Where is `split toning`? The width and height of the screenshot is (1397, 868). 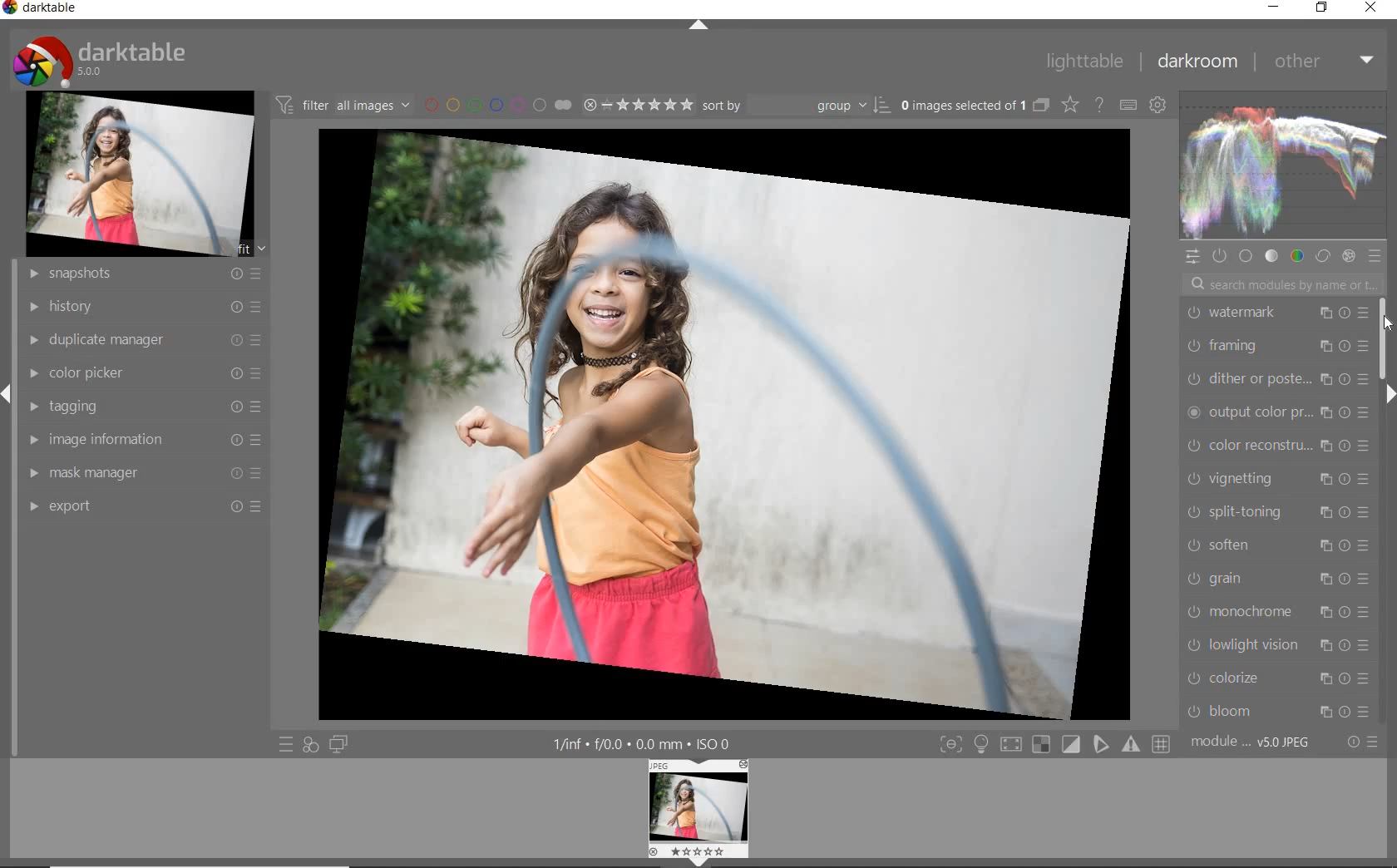
split toning is located at coordinates (1278, 510).